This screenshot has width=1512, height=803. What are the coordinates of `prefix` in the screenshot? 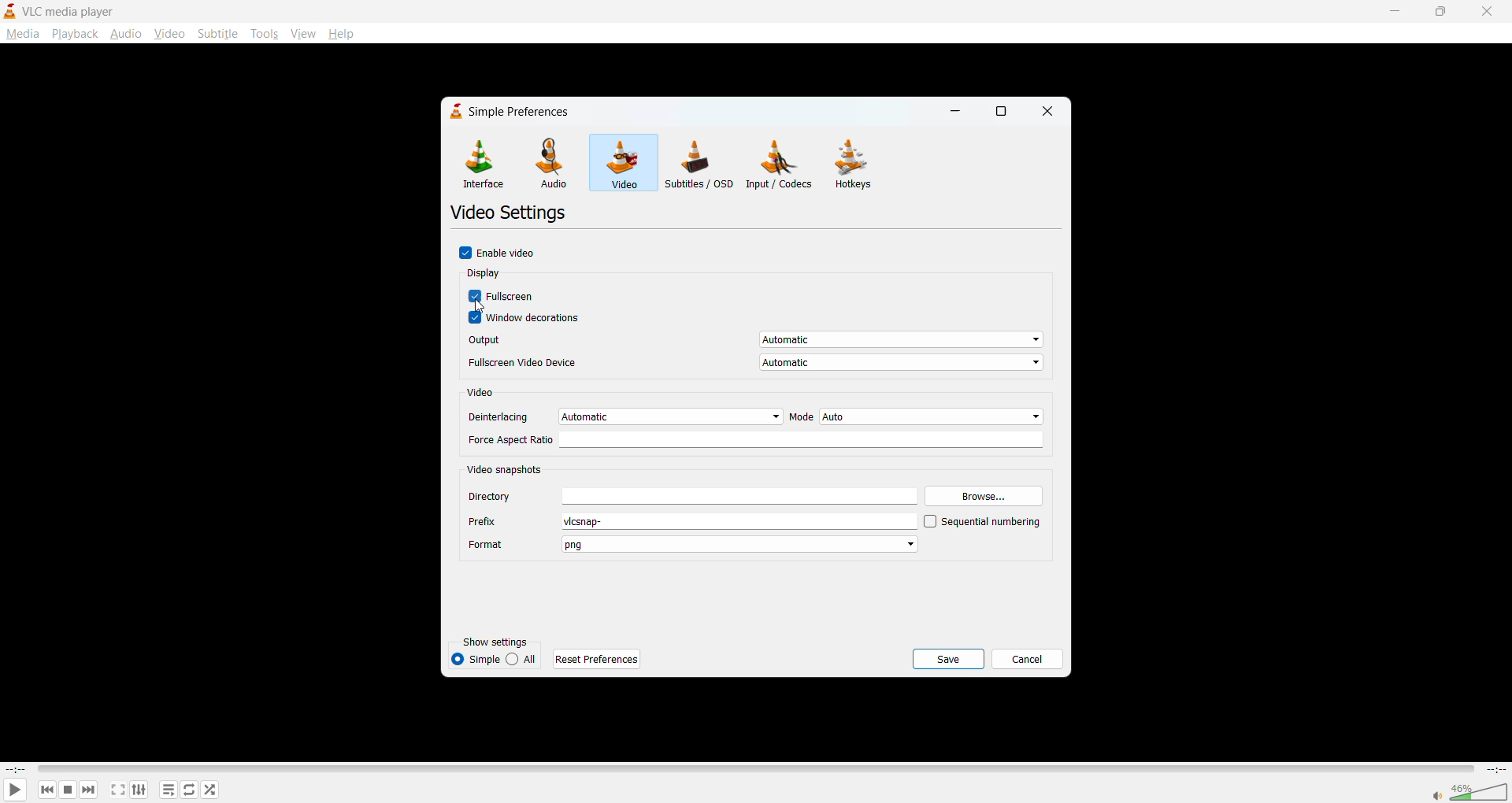 It's located at (691, 522).